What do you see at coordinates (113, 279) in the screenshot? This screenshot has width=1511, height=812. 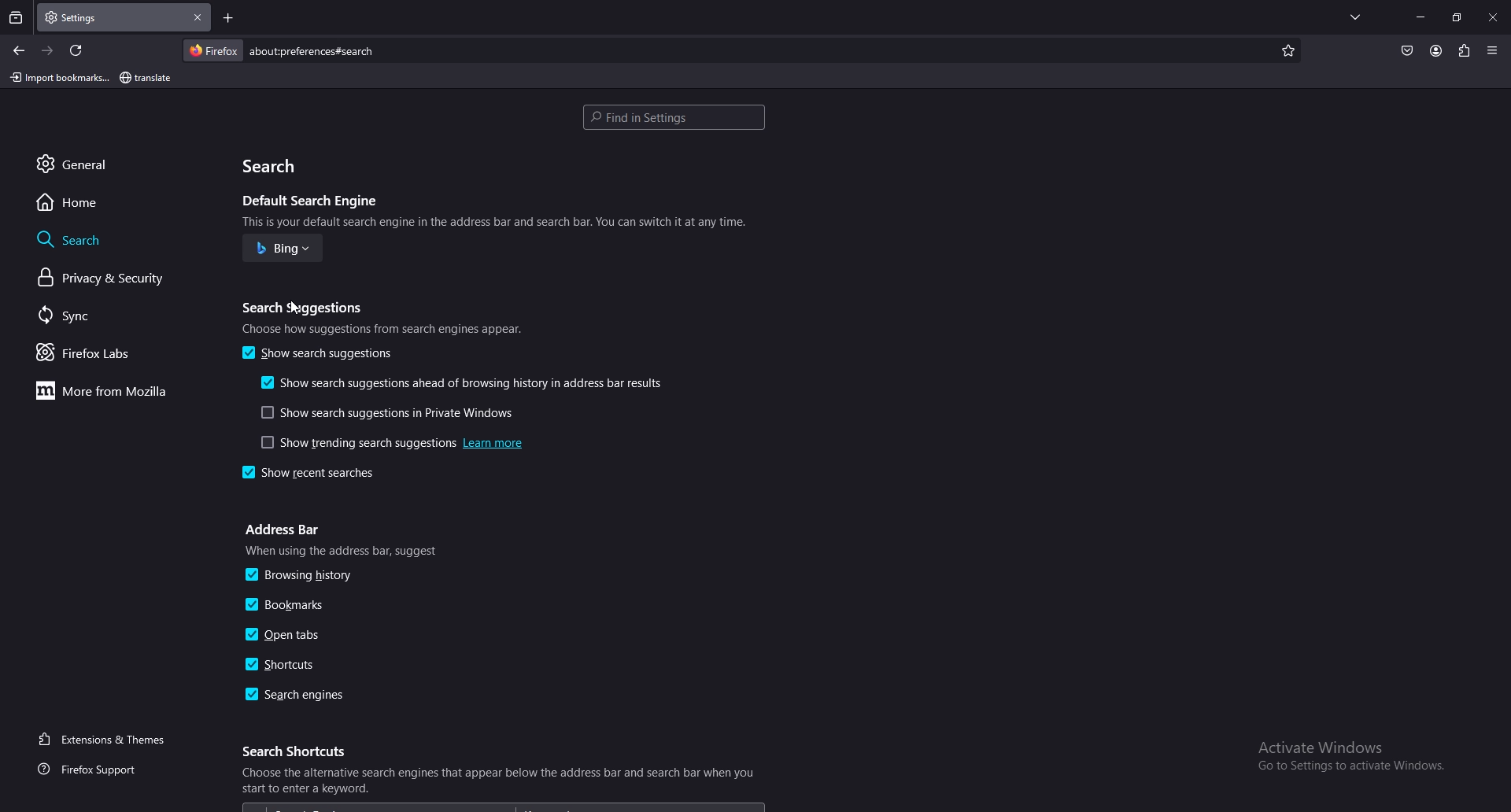 I see `privacy and security` at bounding box center [113, 279].